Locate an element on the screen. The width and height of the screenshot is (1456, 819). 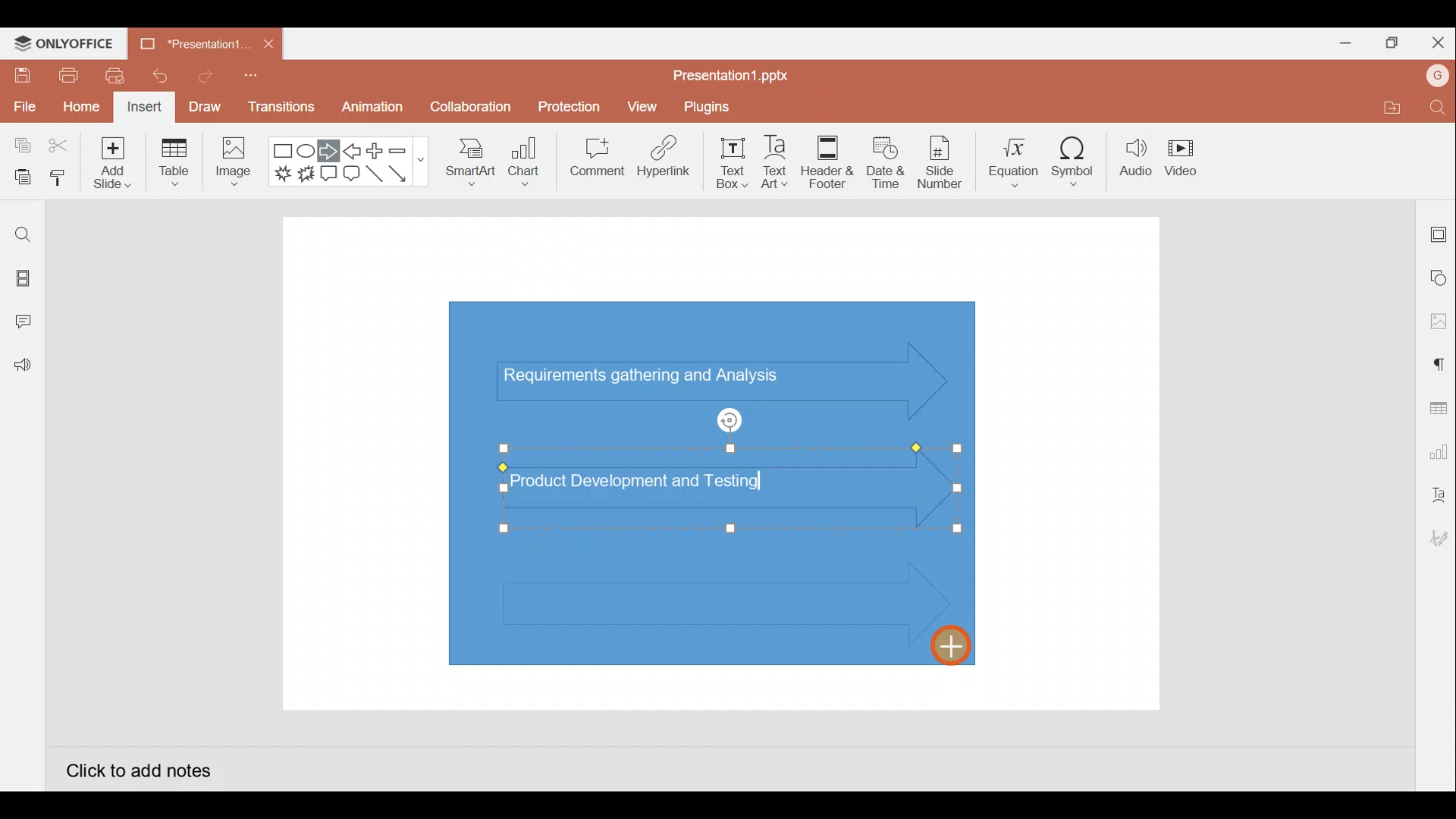
Open file location is located at coordinates (1389, 107).